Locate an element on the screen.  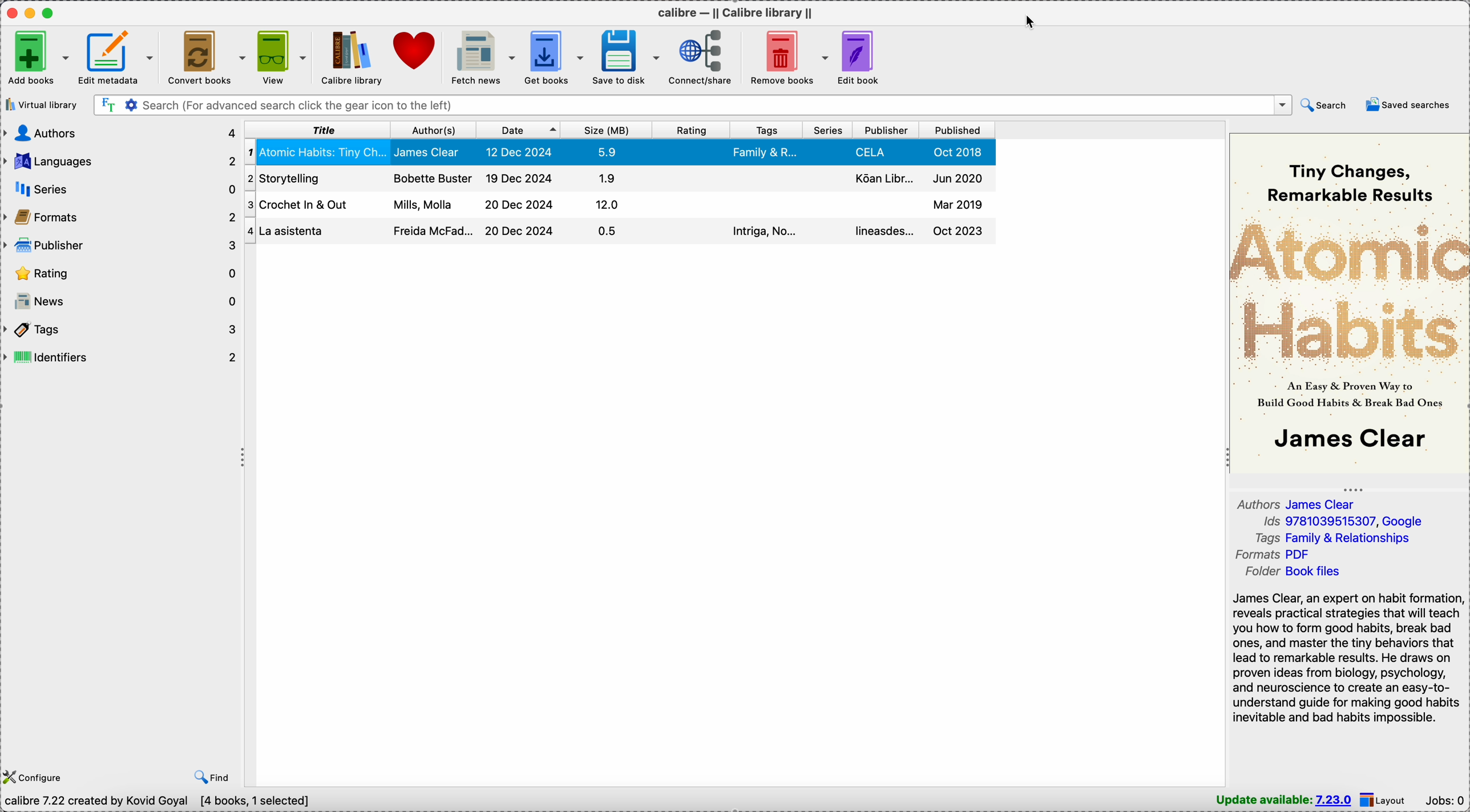
get books is located at coordinates (556, 58).